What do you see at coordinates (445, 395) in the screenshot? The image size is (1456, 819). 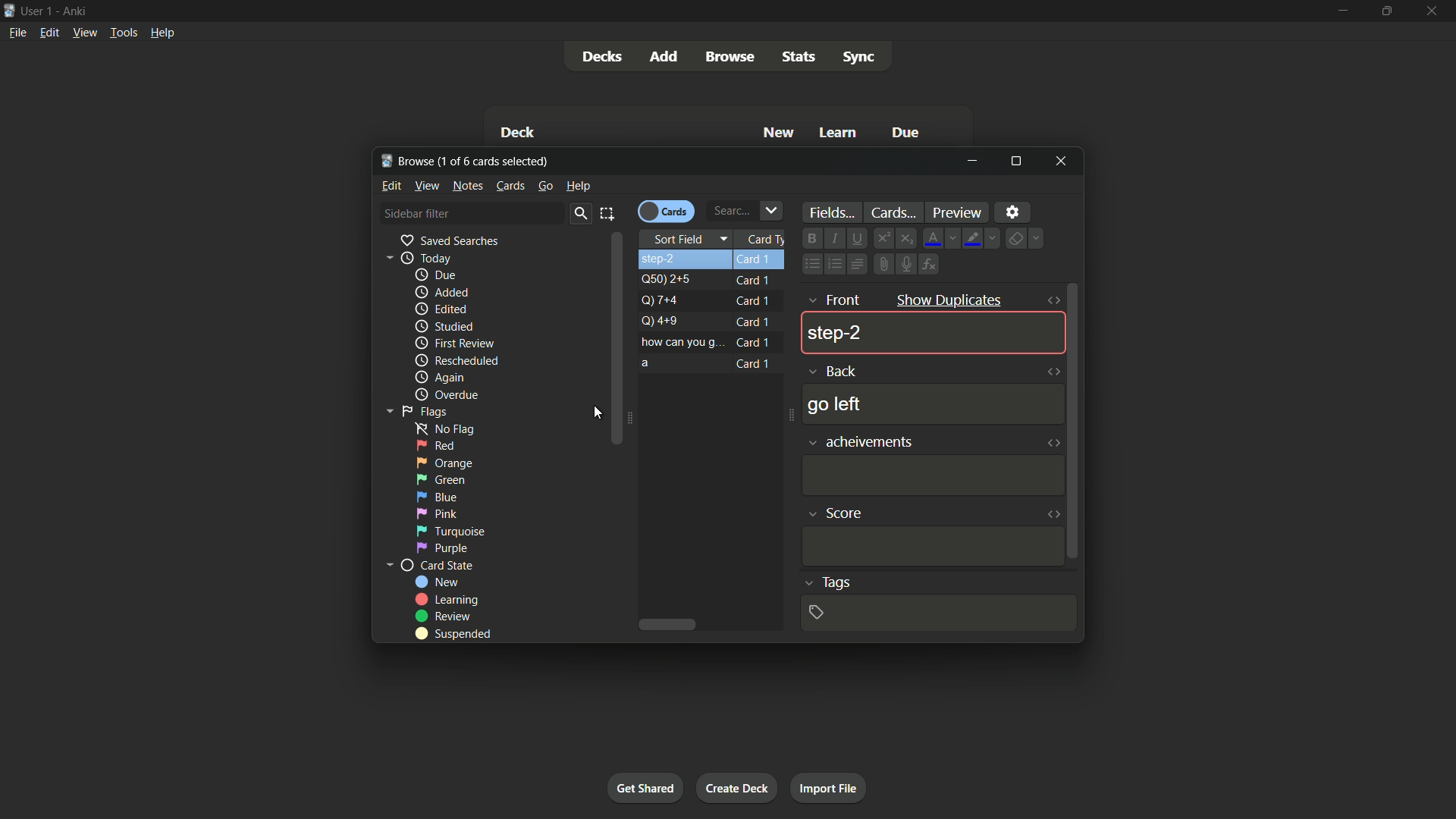 I see `Overdue` at bounding box center [445, 395].